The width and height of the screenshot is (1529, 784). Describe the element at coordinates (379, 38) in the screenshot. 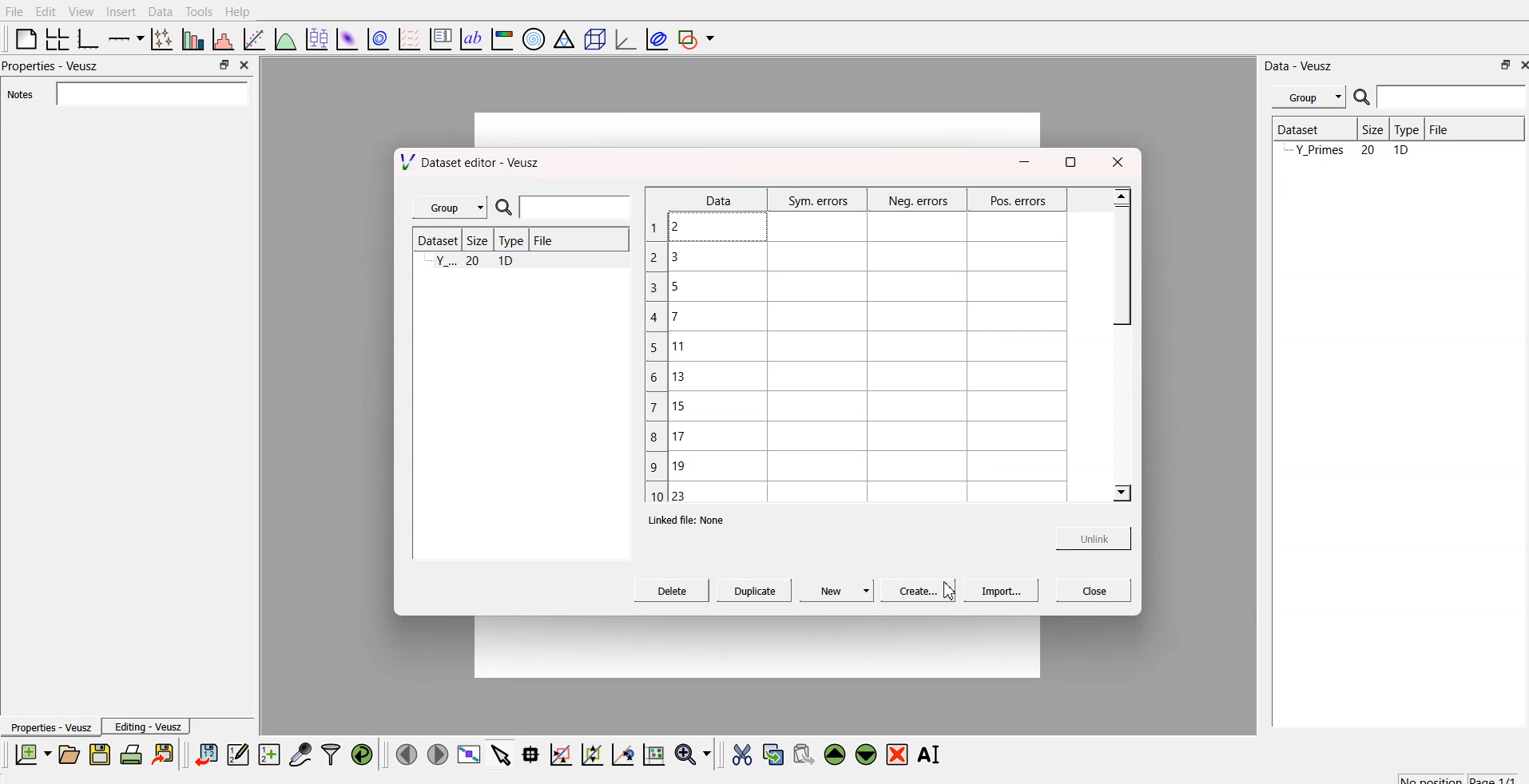

I see `plot data` at that location.